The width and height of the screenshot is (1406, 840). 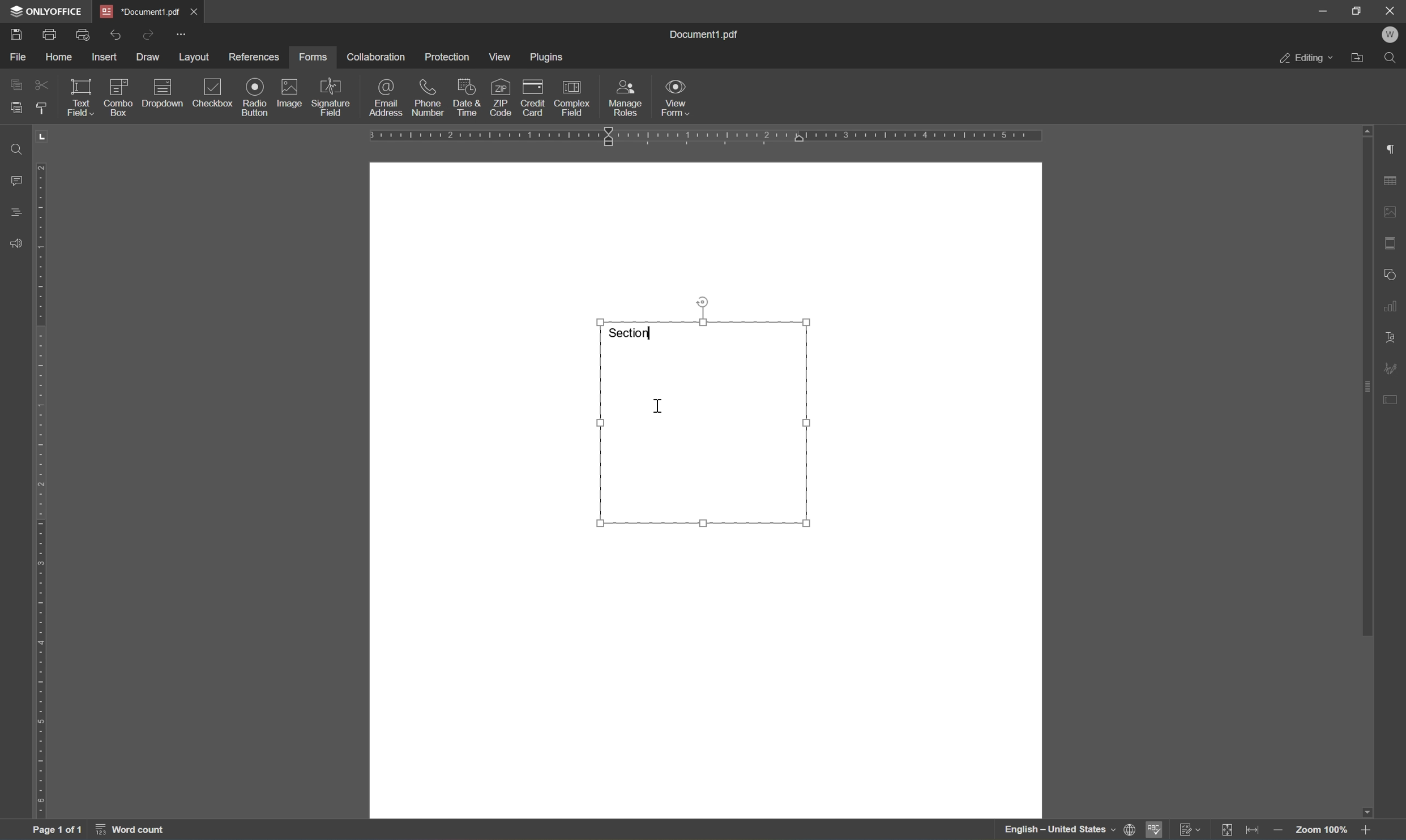 What do you see at coordinates (1394, 61) in the screenshot?
I see `Find` at bounding box center [1394, 61].